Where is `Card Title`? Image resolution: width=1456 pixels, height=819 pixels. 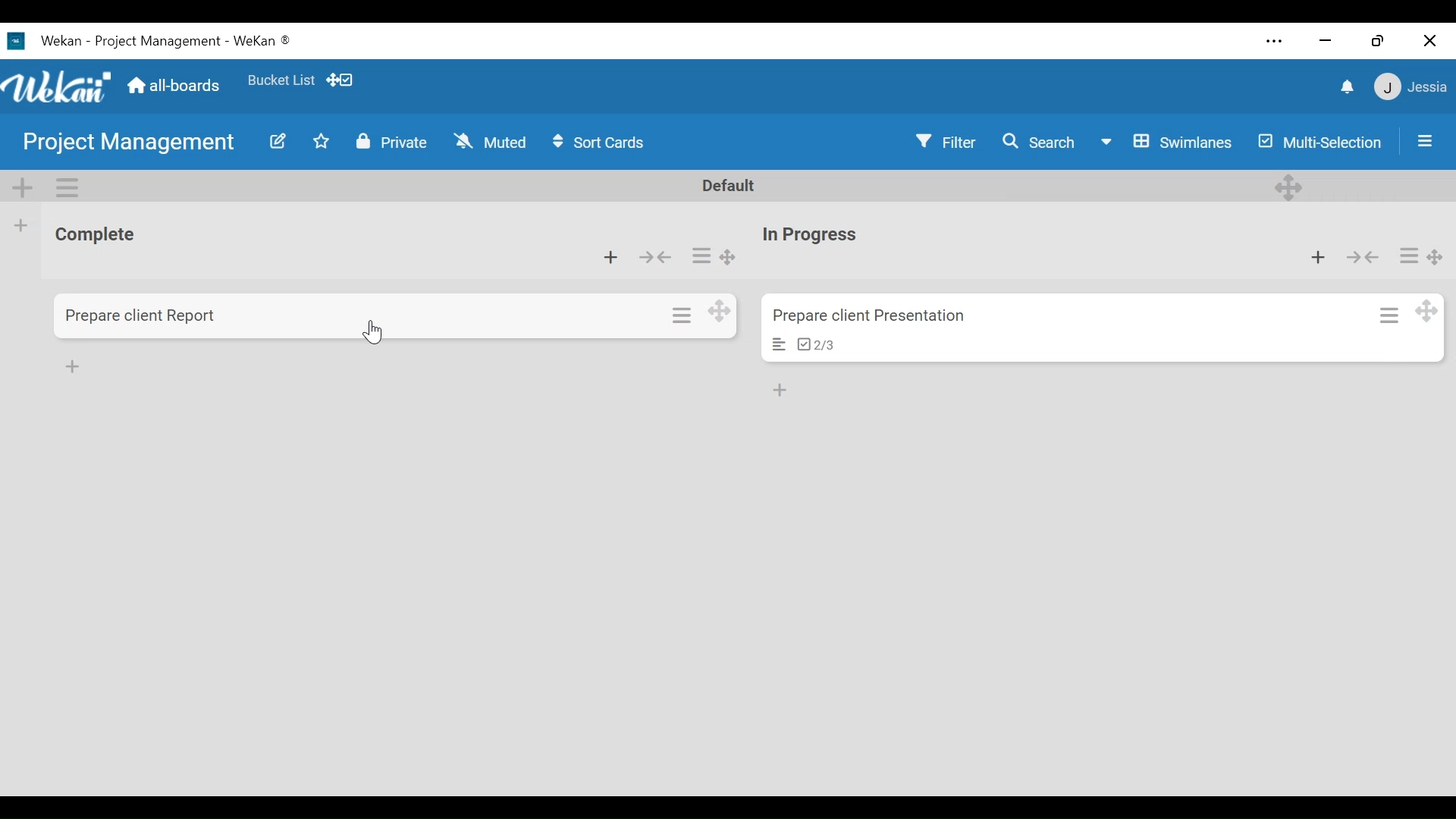
Card Title is located at coordinates (868, 317).